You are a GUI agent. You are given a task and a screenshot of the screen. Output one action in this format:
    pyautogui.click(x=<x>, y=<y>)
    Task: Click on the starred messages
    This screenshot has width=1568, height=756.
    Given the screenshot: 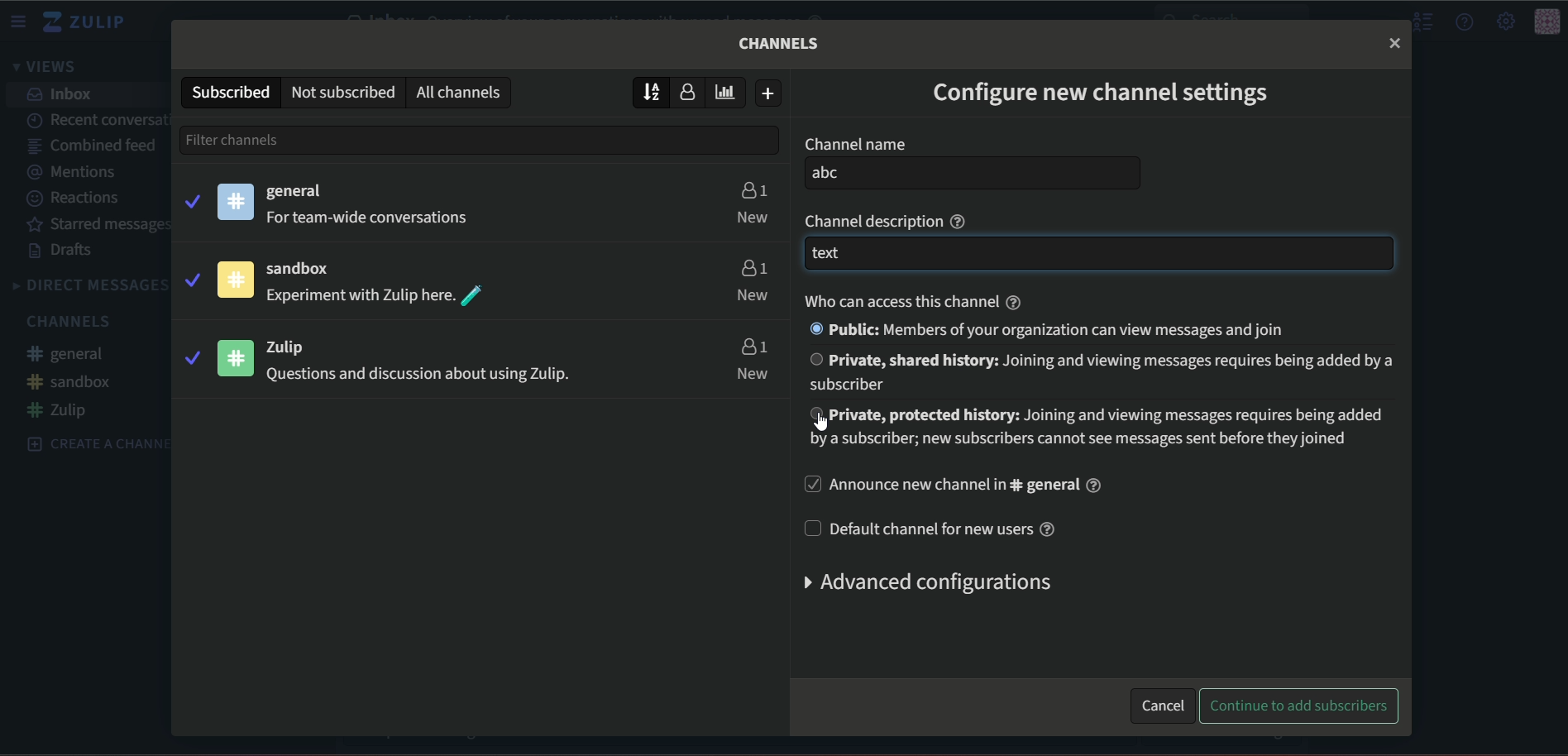 What is the action you would take?
    pyautogui.click(x=100, y=225)
    